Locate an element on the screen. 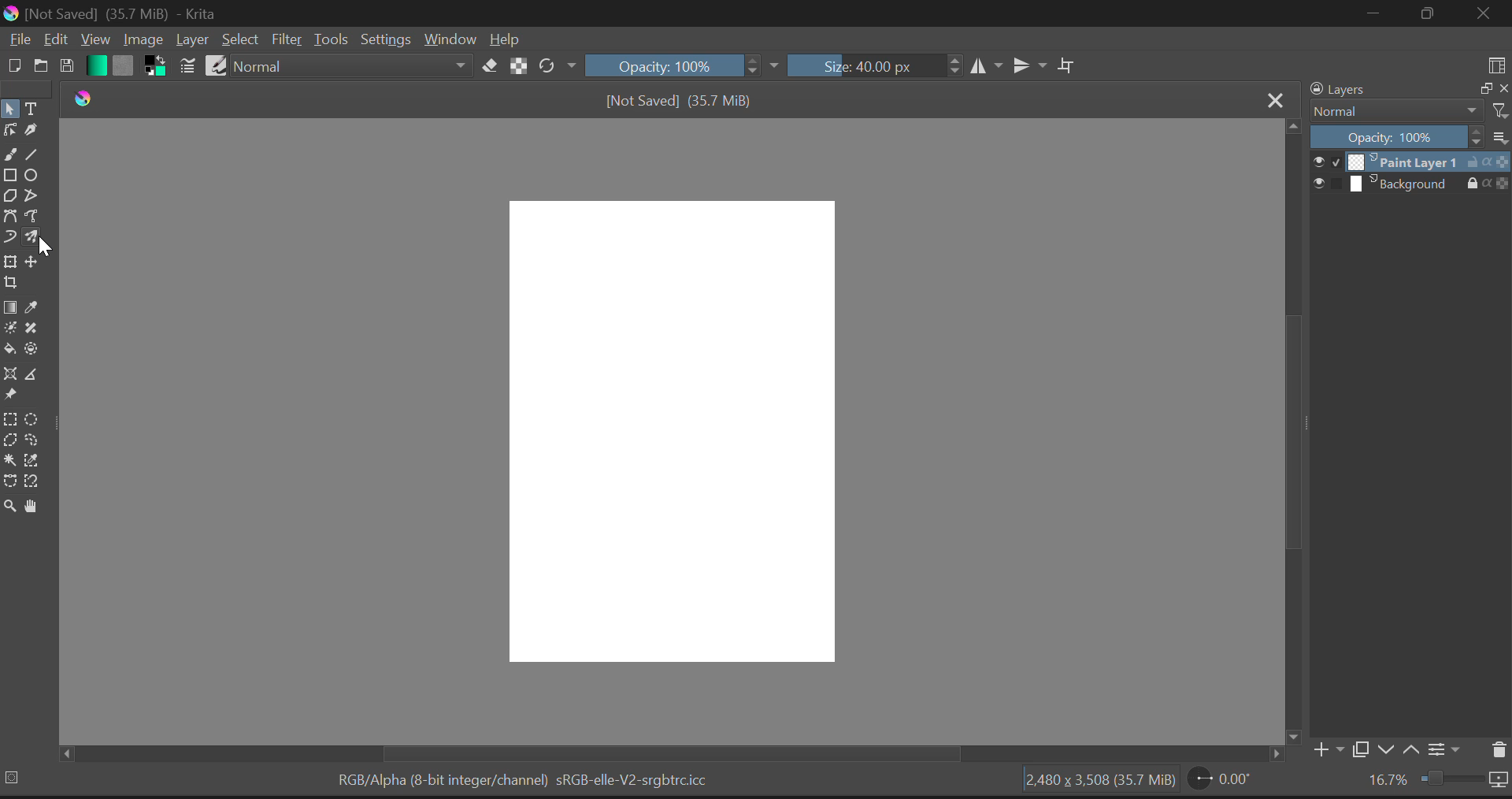 Image resolution: width=1512 pixels, height=799 pixels. minimize is located at coordinates (1484, 87).